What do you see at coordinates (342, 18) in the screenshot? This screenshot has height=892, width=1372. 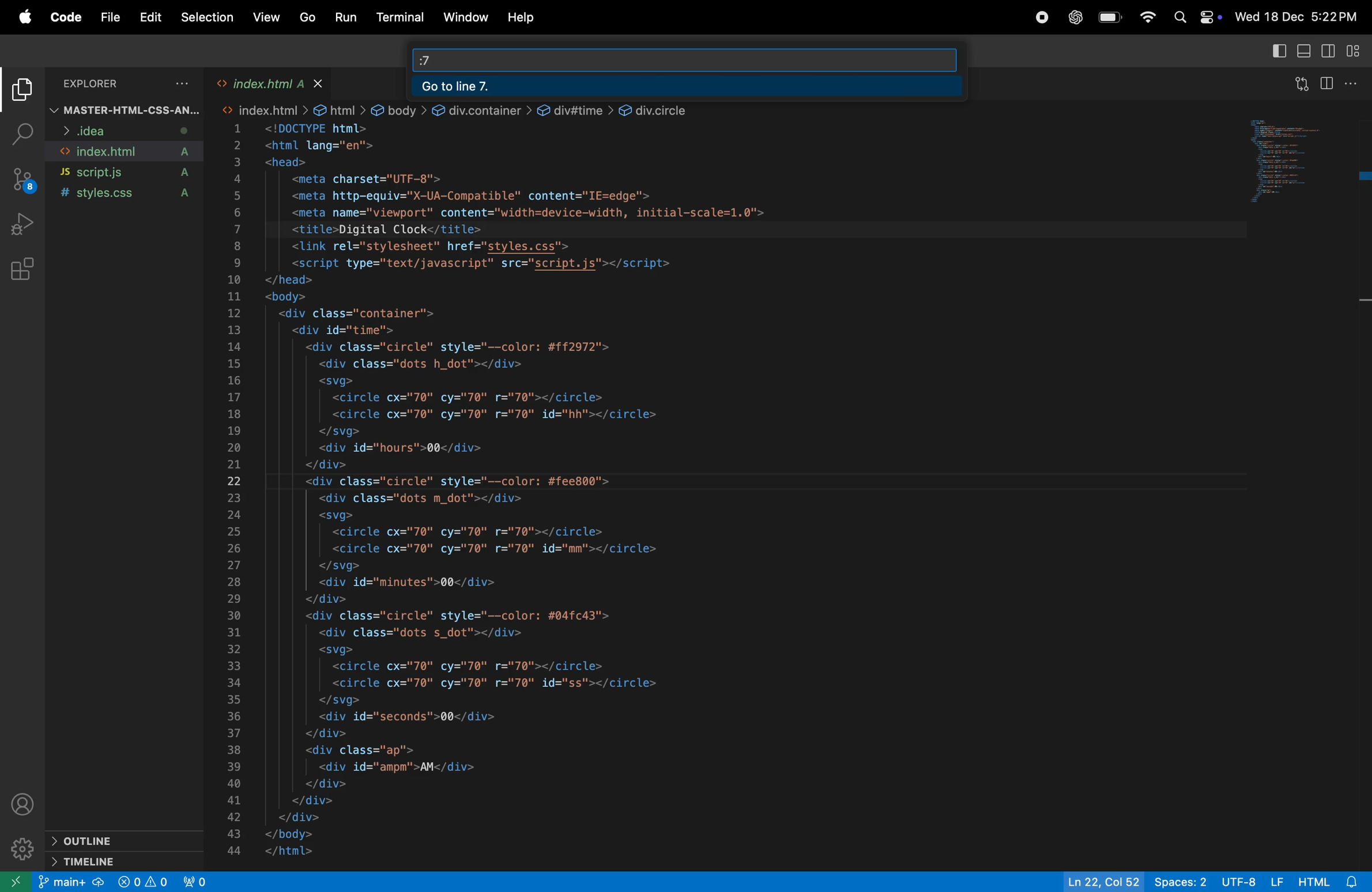 I see `run` at bounding box center [342, 18].